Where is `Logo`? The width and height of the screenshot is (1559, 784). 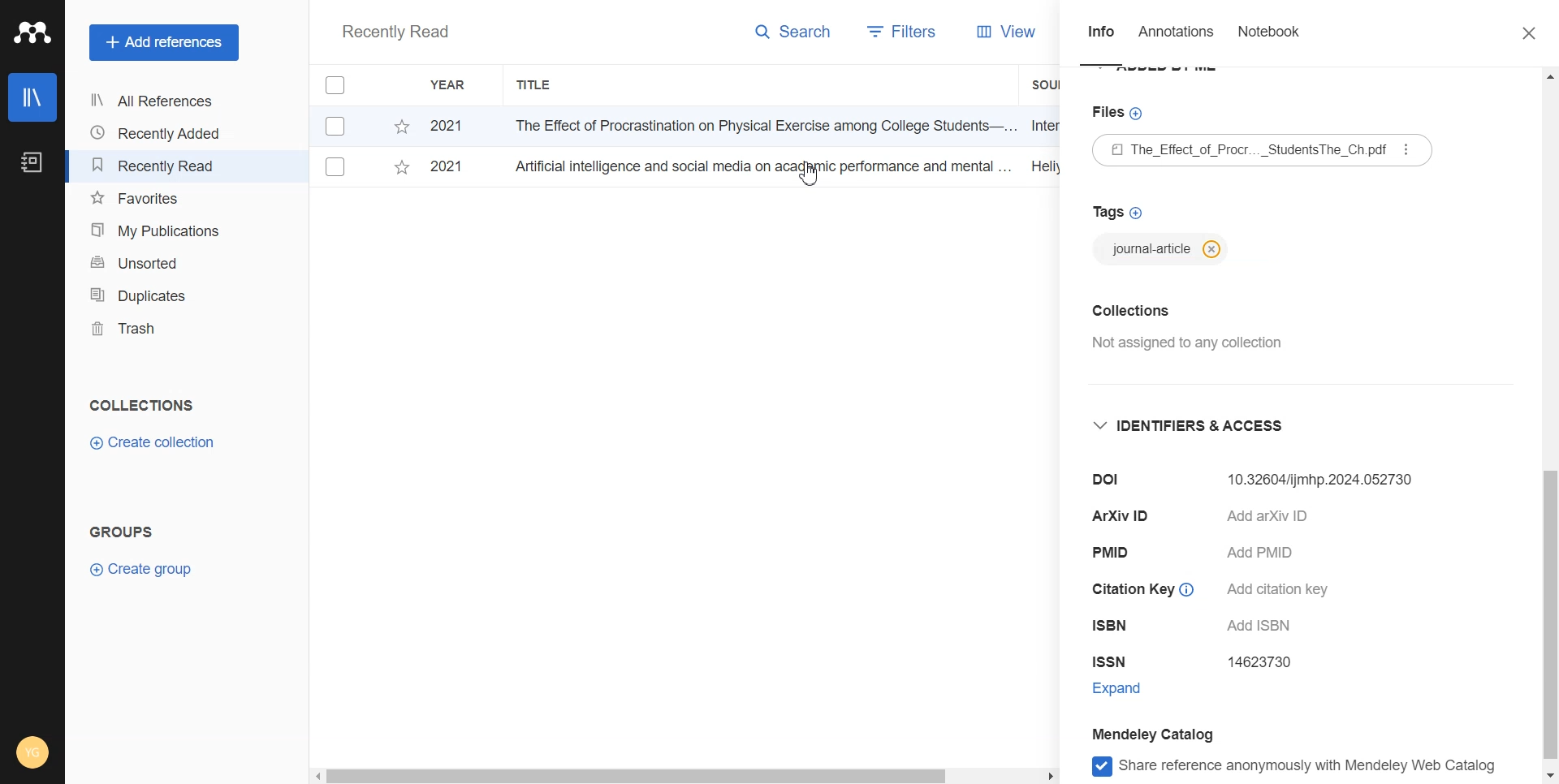 Logo is located at coordinates (32, 32).